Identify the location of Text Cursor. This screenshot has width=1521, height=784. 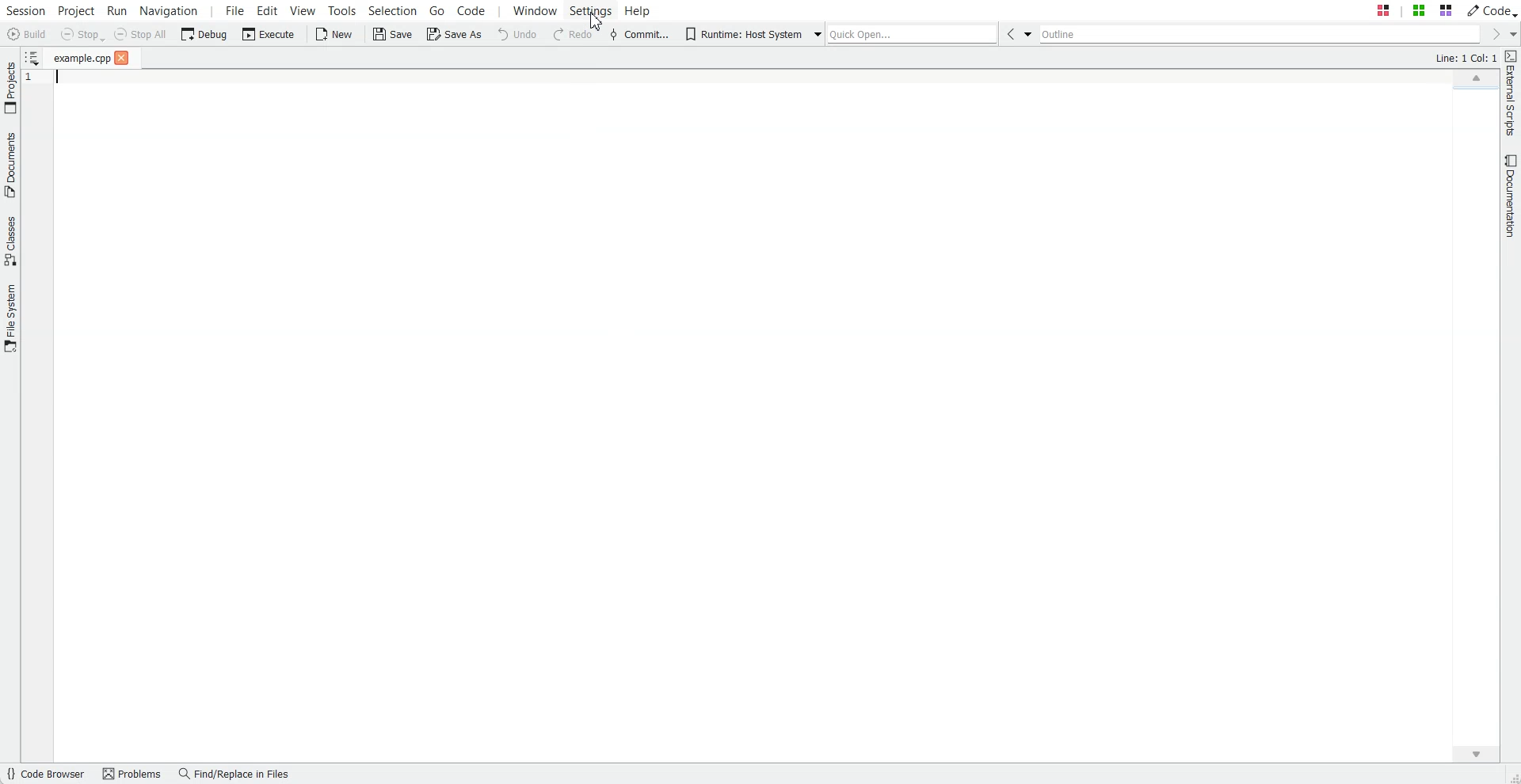
(55, 82).